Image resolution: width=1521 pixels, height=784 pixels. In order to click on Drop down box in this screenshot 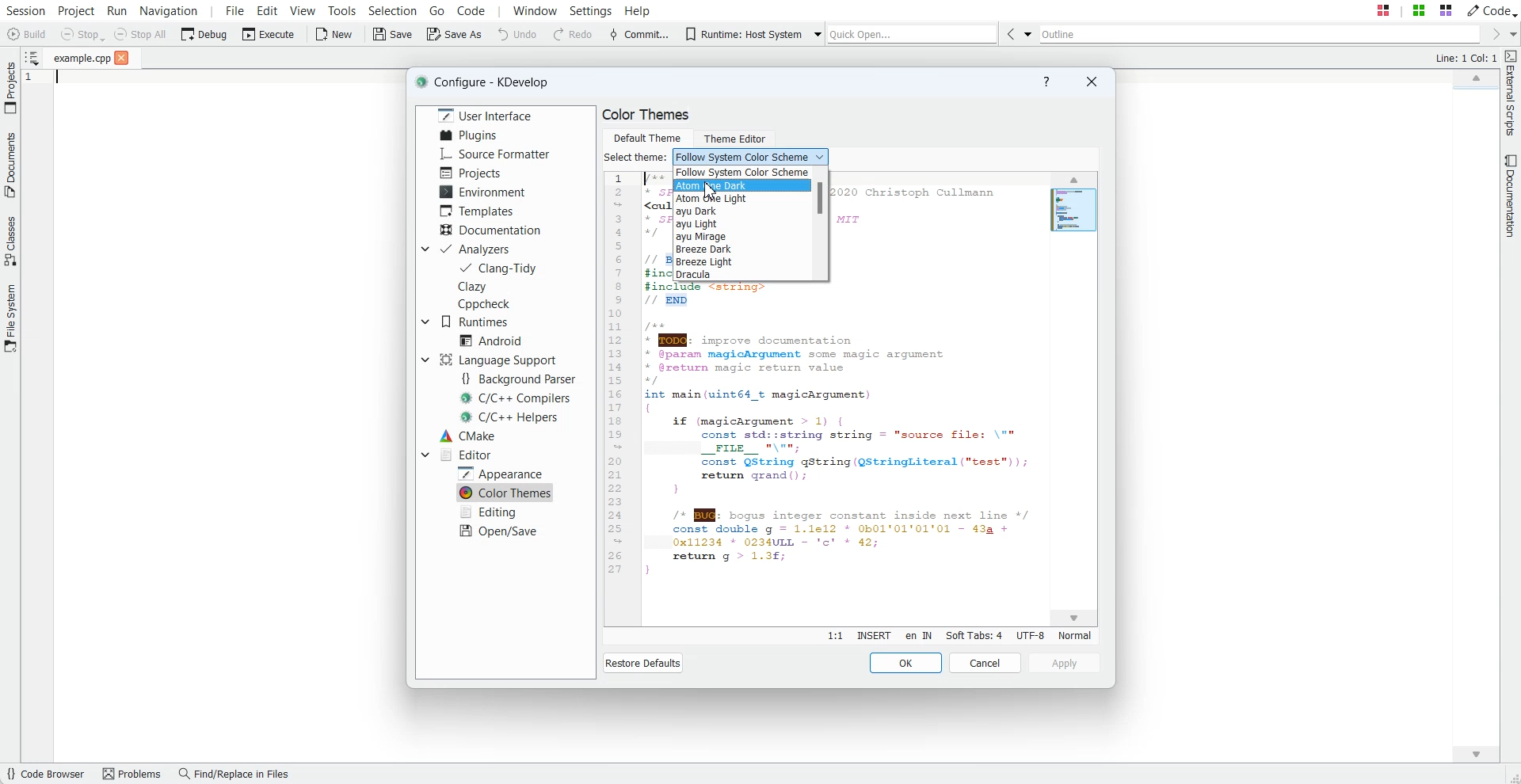, I will do `click(424, 249)`.